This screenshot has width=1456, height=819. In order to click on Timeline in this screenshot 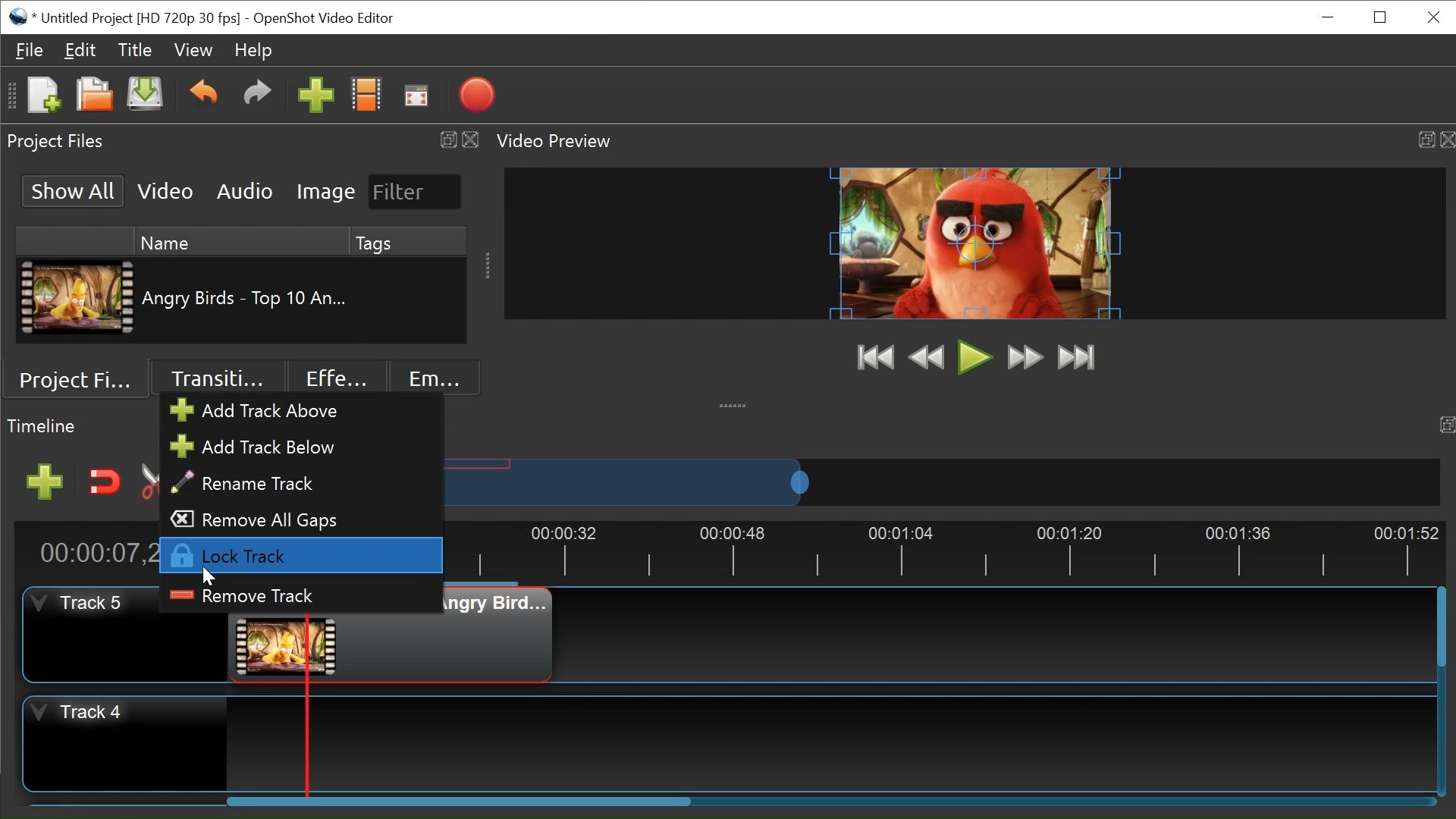, I will do `click(44, 427)`.